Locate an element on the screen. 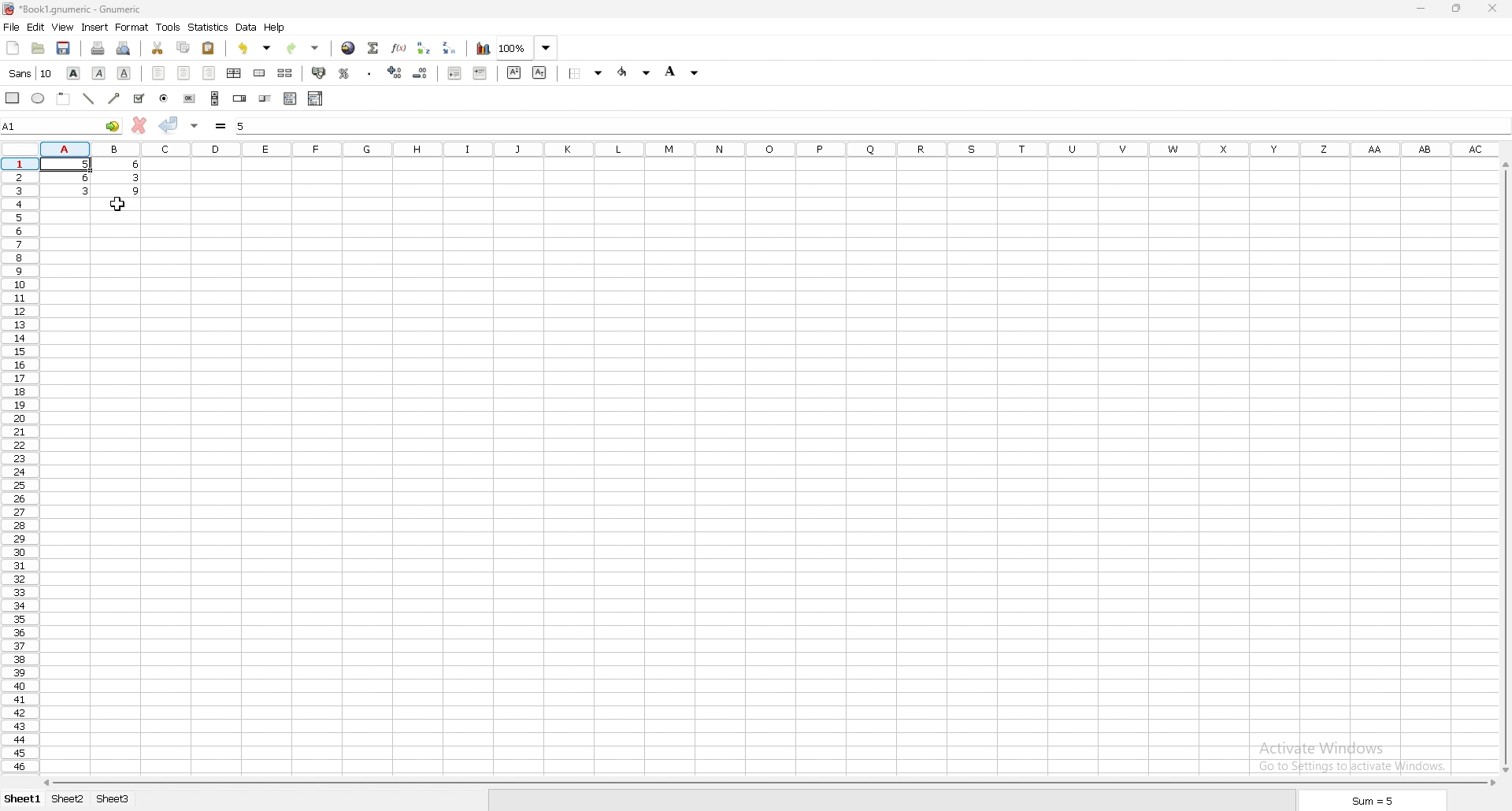 This screenshot has width=1512, height=811. decrease indent is located at coordinates (454, 72).